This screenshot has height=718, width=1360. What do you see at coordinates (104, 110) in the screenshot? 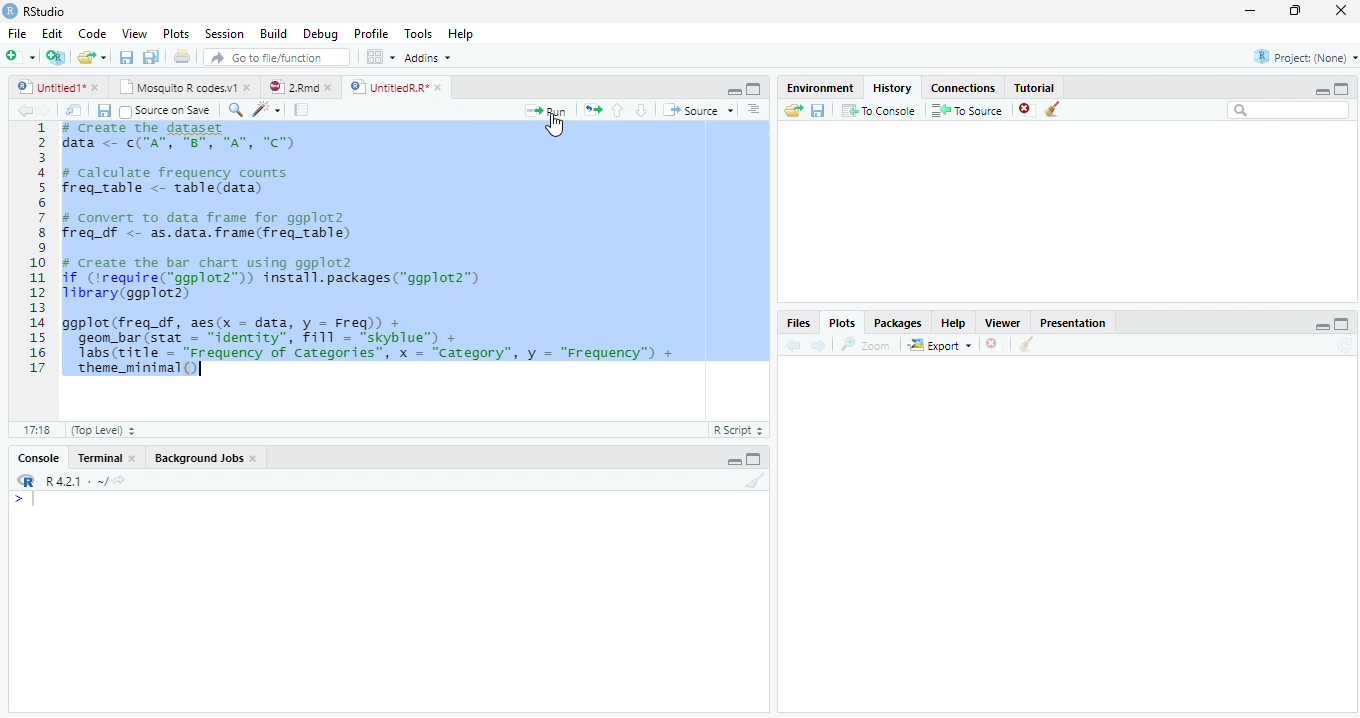
I see `Save` at bounding box center [104, 110].